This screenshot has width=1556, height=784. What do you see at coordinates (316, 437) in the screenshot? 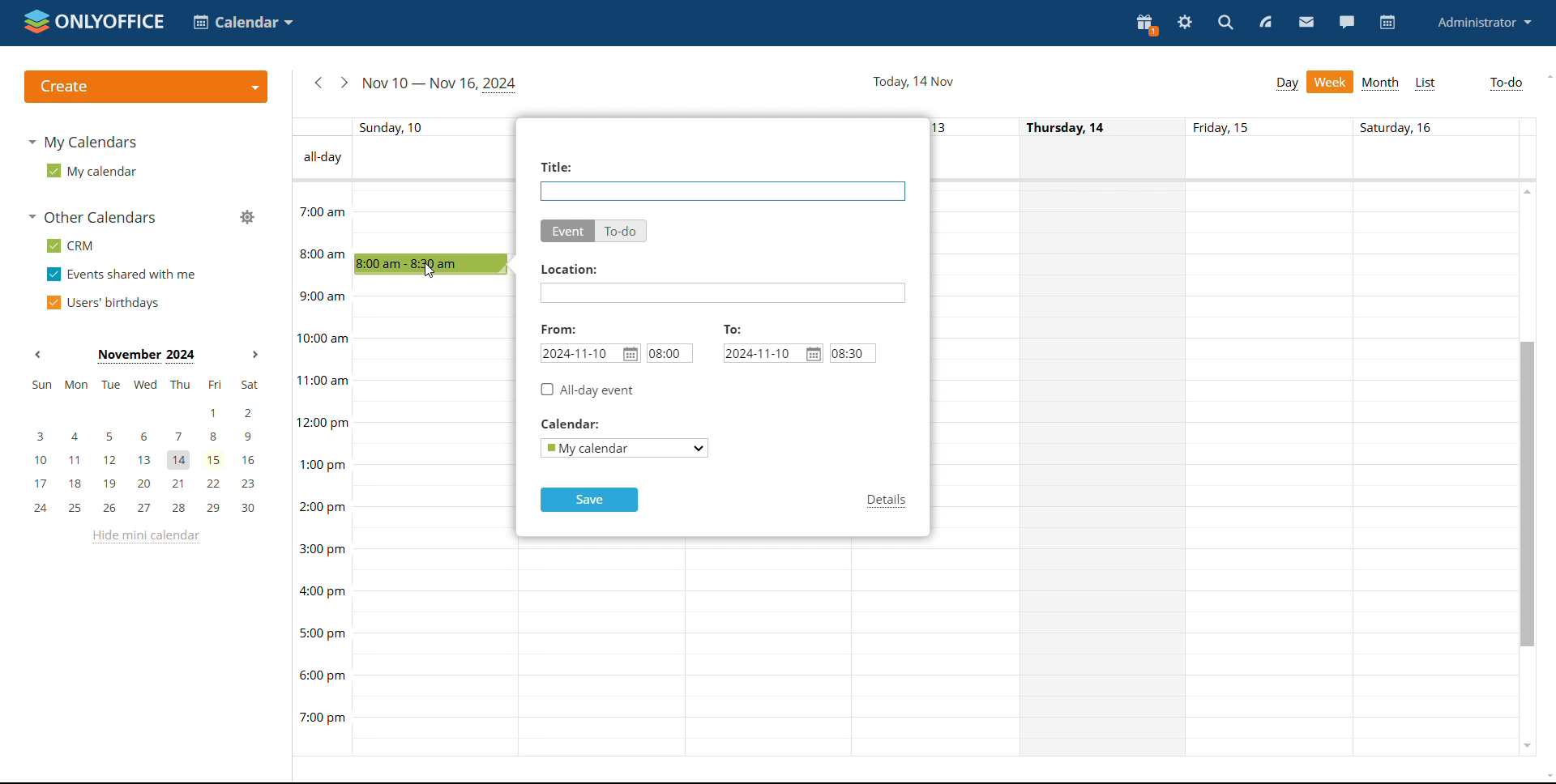
I see `time of the day` at bounding box center [316, 437].